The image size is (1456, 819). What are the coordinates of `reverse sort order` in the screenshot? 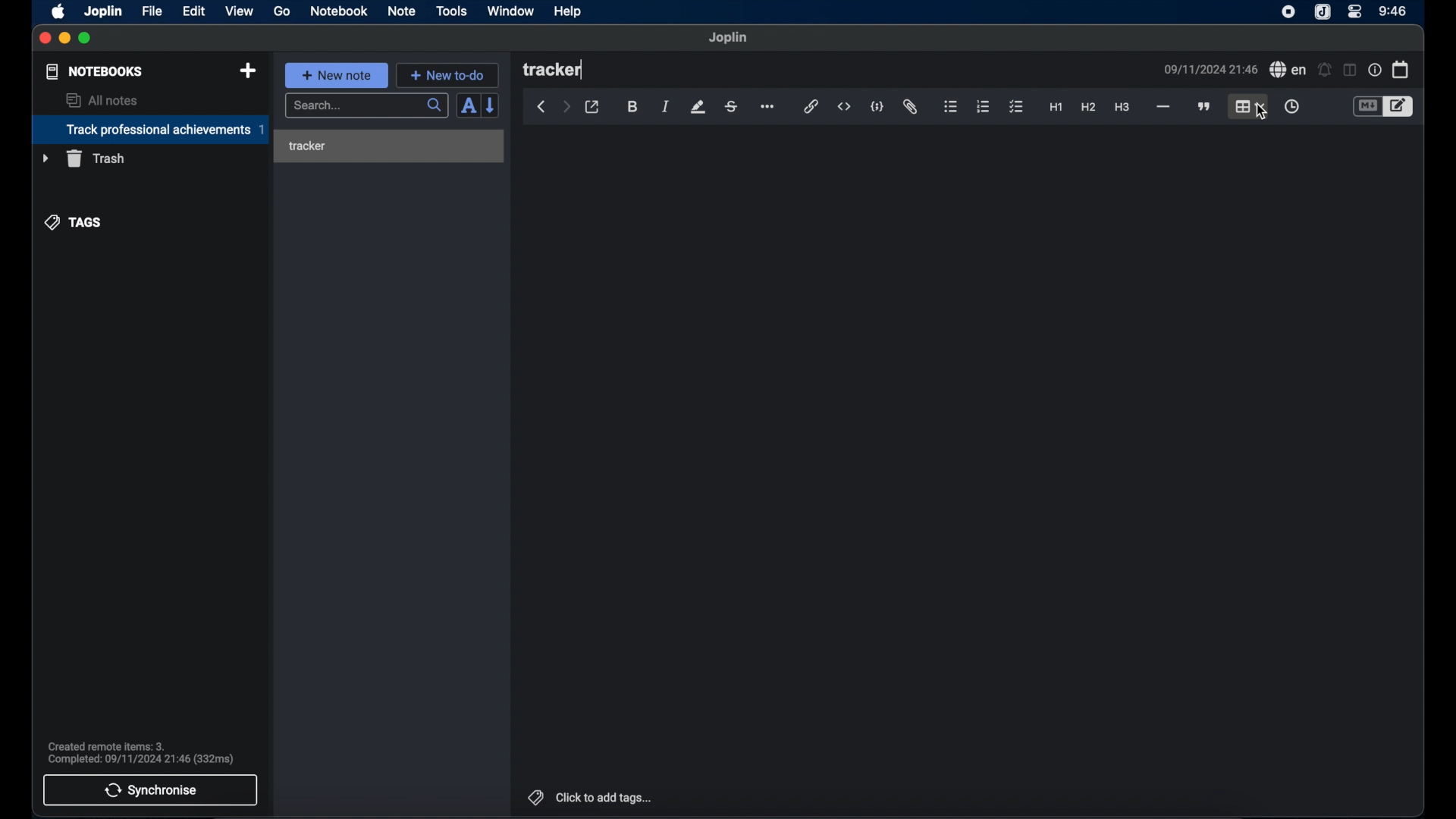 It's located at (492, 105).